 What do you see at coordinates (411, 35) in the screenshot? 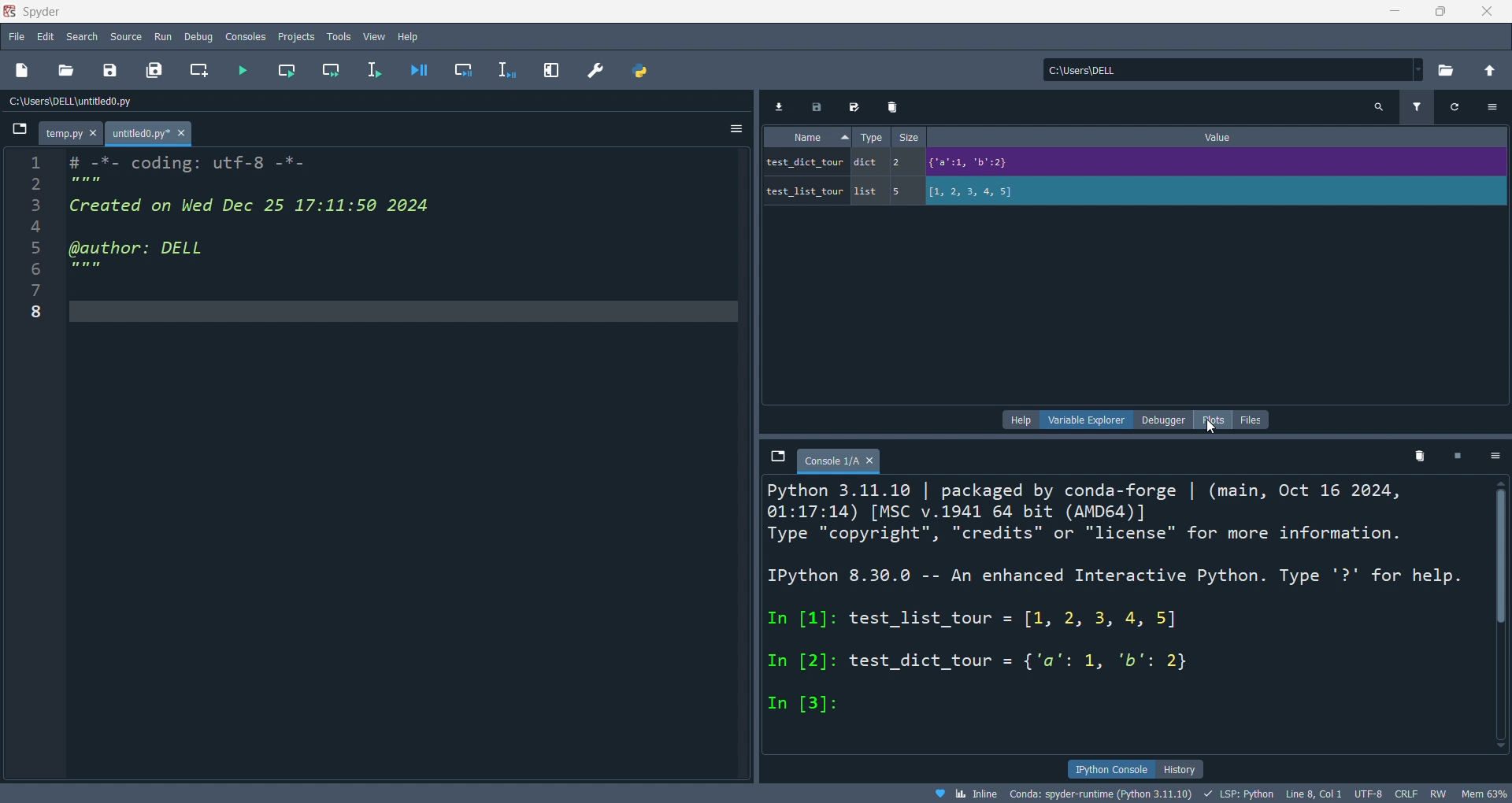
I see `help` at bounding box center [411, 35].